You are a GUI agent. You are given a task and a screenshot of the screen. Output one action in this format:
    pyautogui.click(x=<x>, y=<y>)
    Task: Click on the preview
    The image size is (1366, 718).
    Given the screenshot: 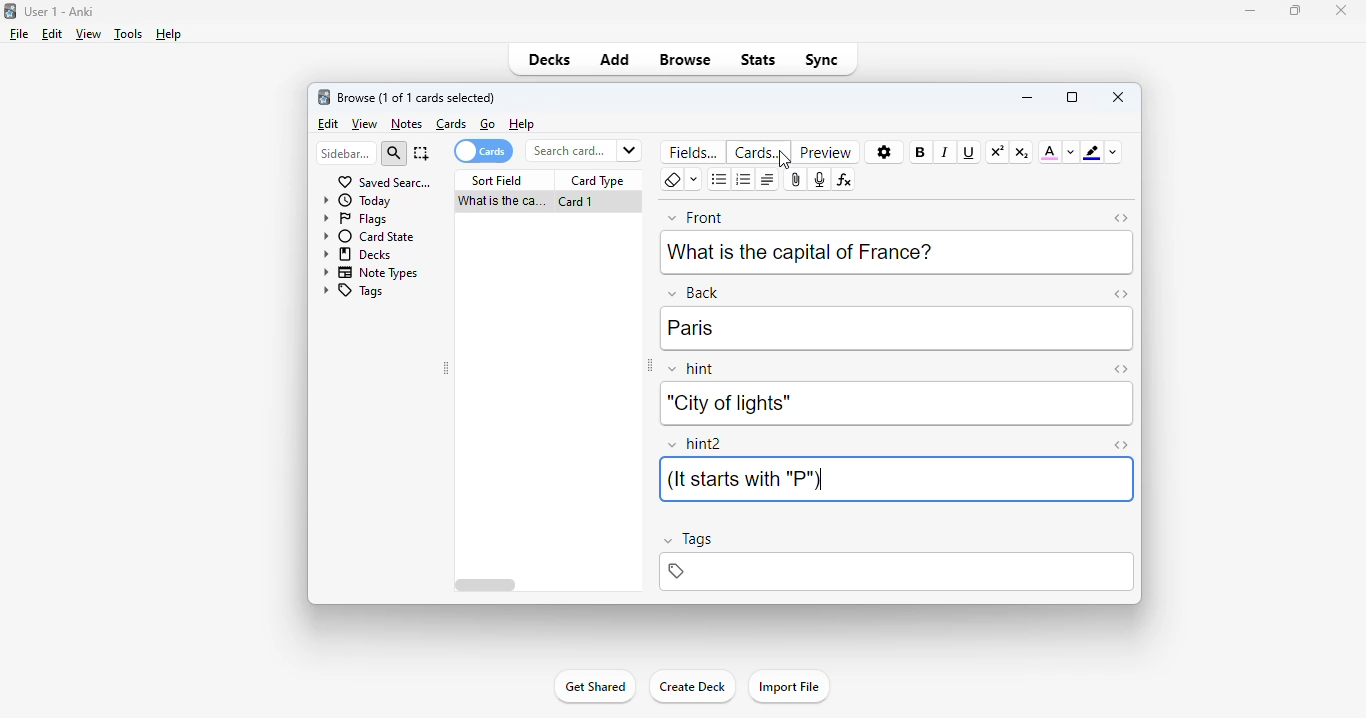 What is the action you would take?
    pyautogui.click(x=826, y=152)
    